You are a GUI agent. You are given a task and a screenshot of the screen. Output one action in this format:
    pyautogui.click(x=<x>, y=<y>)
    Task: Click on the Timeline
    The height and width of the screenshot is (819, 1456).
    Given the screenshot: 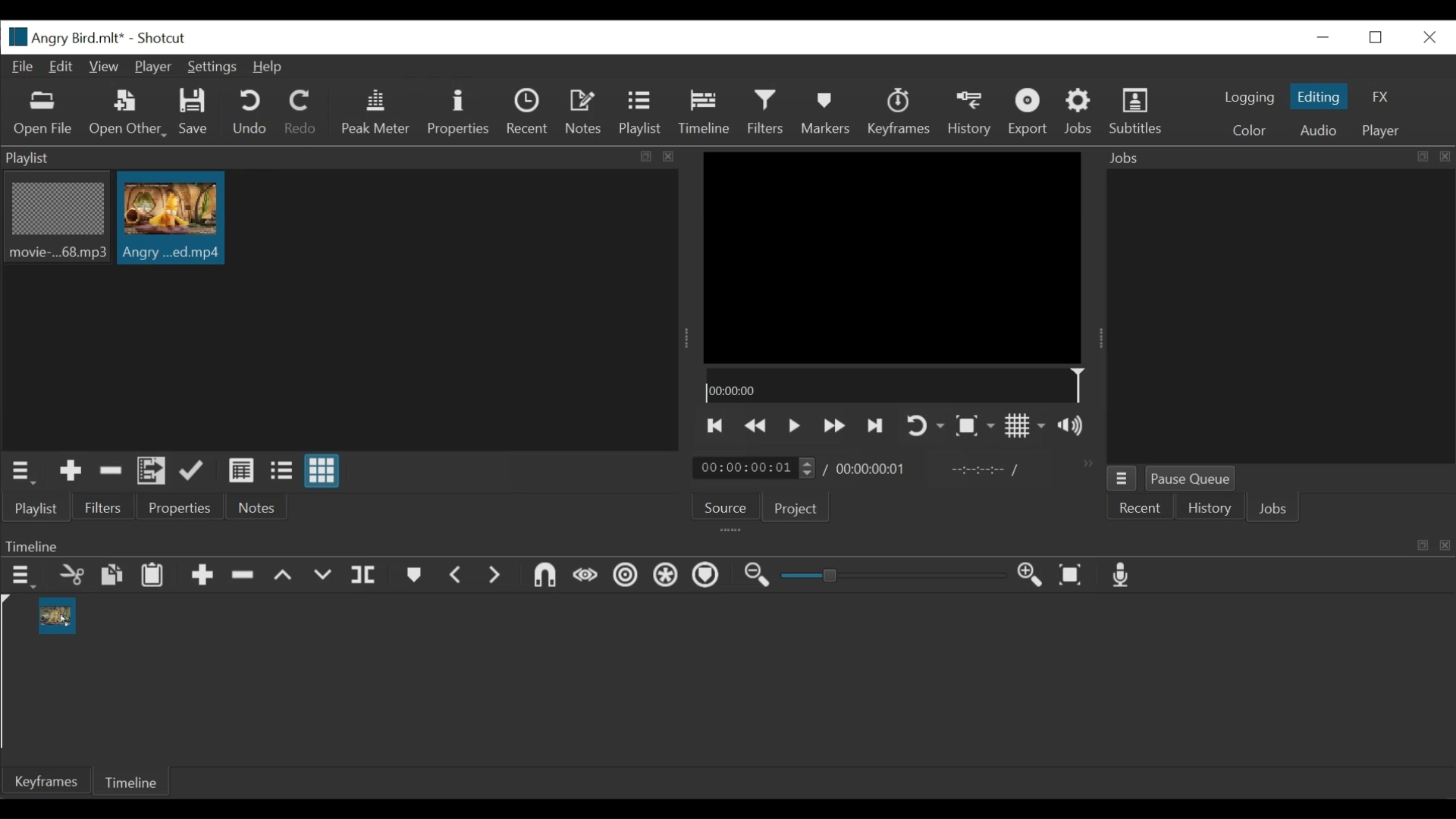 What is the action you would take?
    pyautogui.click(x=893, y=384)
    